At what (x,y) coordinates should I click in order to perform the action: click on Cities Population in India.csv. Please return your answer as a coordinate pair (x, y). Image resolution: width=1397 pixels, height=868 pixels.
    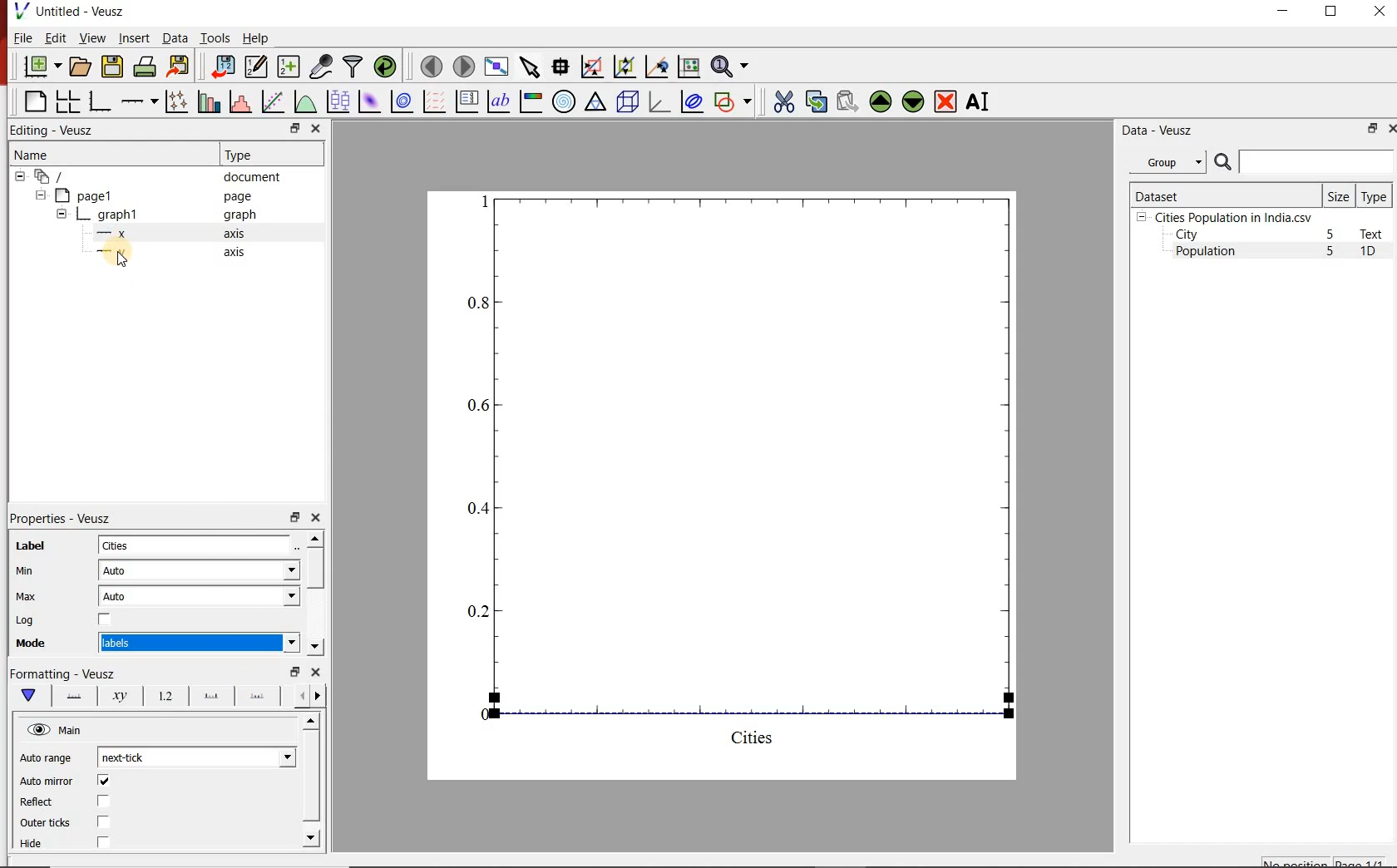
    Looking at the image, I should click on (1232, 217).